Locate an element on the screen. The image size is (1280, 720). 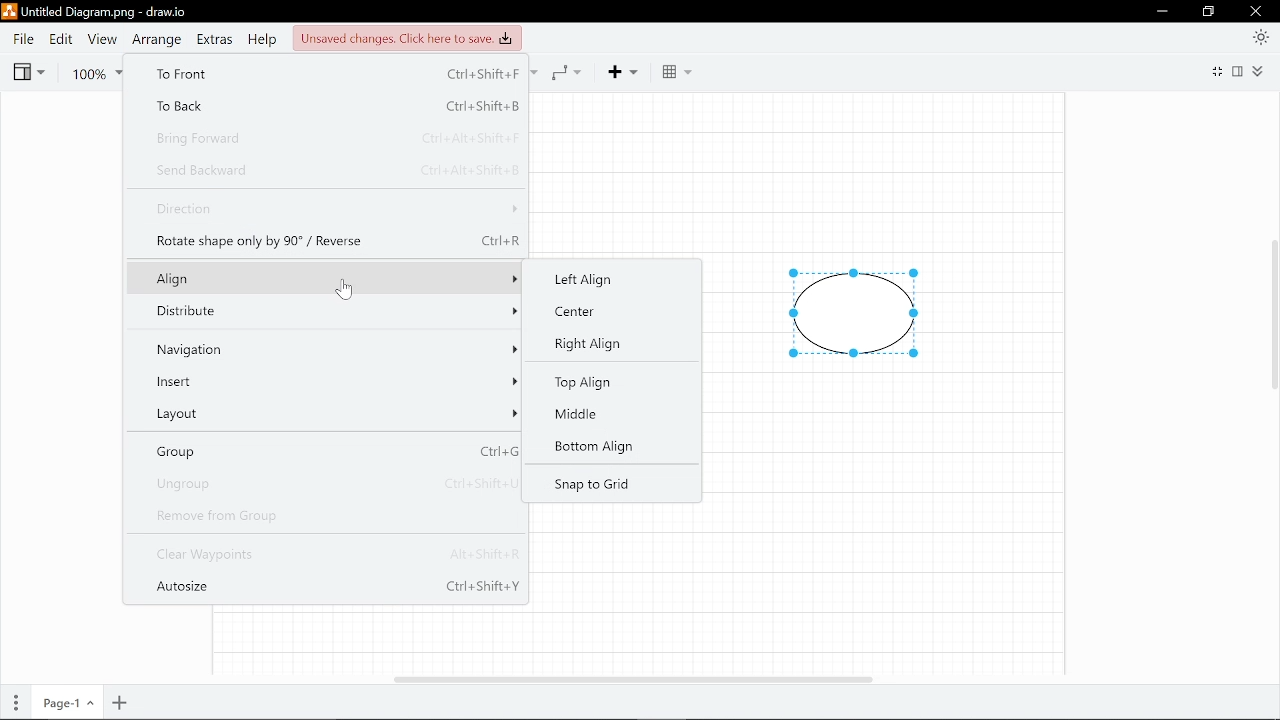
File is located at coordinates (23, 39).